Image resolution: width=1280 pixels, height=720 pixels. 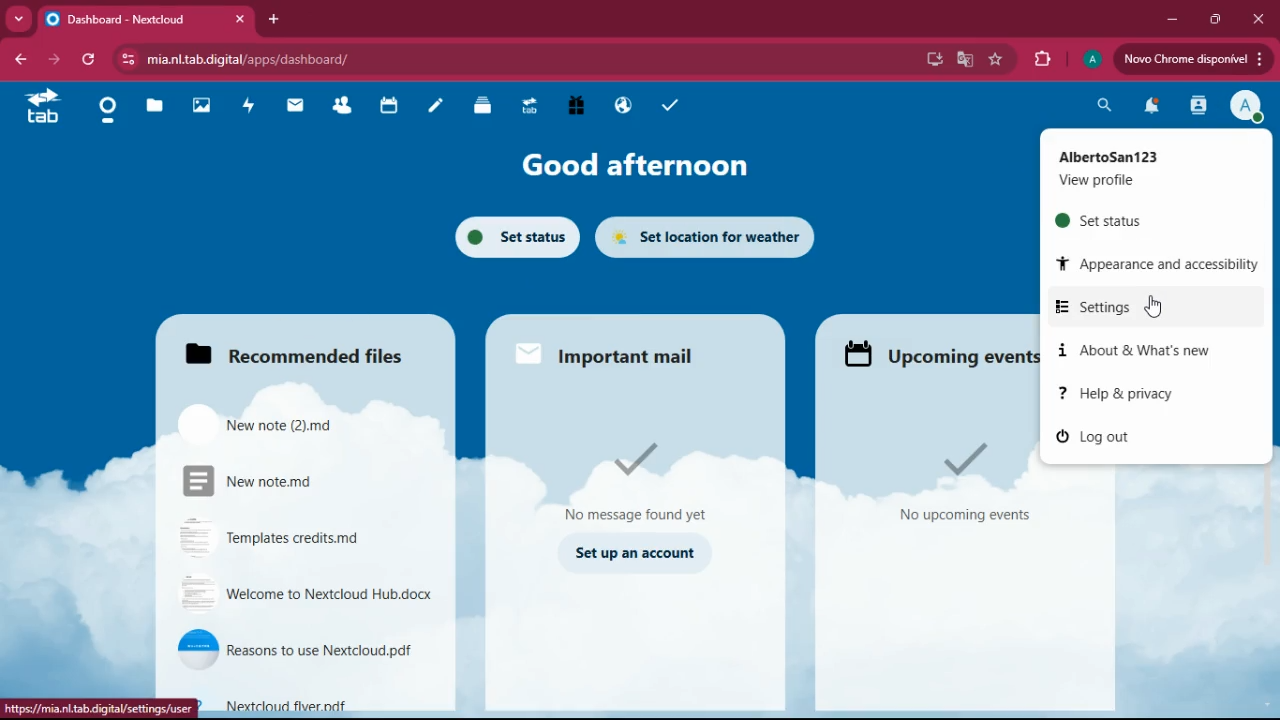 I want to click on more, so click(x=18, y=21).